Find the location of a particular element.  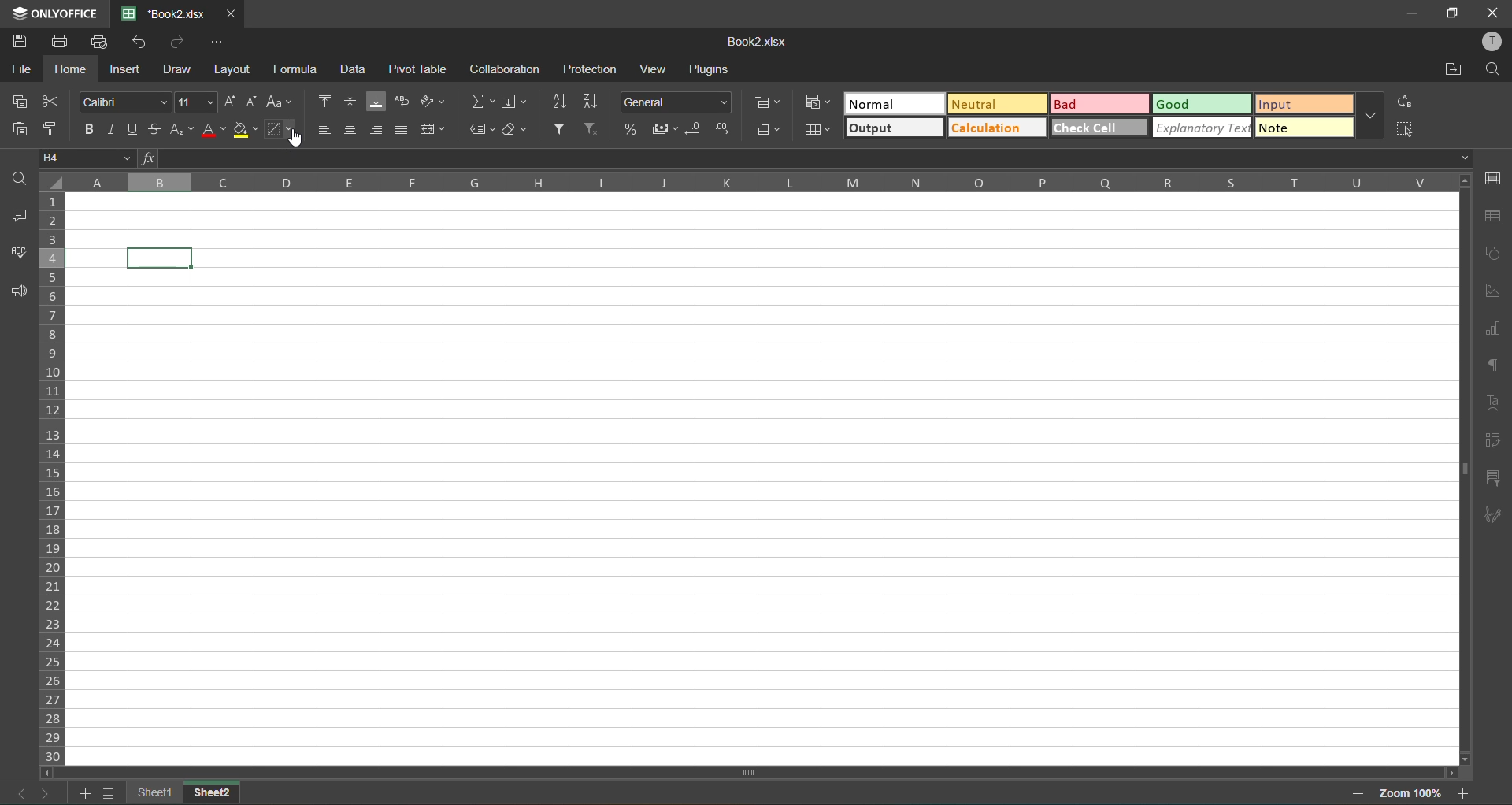

decrement size is located at coordinates (254, 102).